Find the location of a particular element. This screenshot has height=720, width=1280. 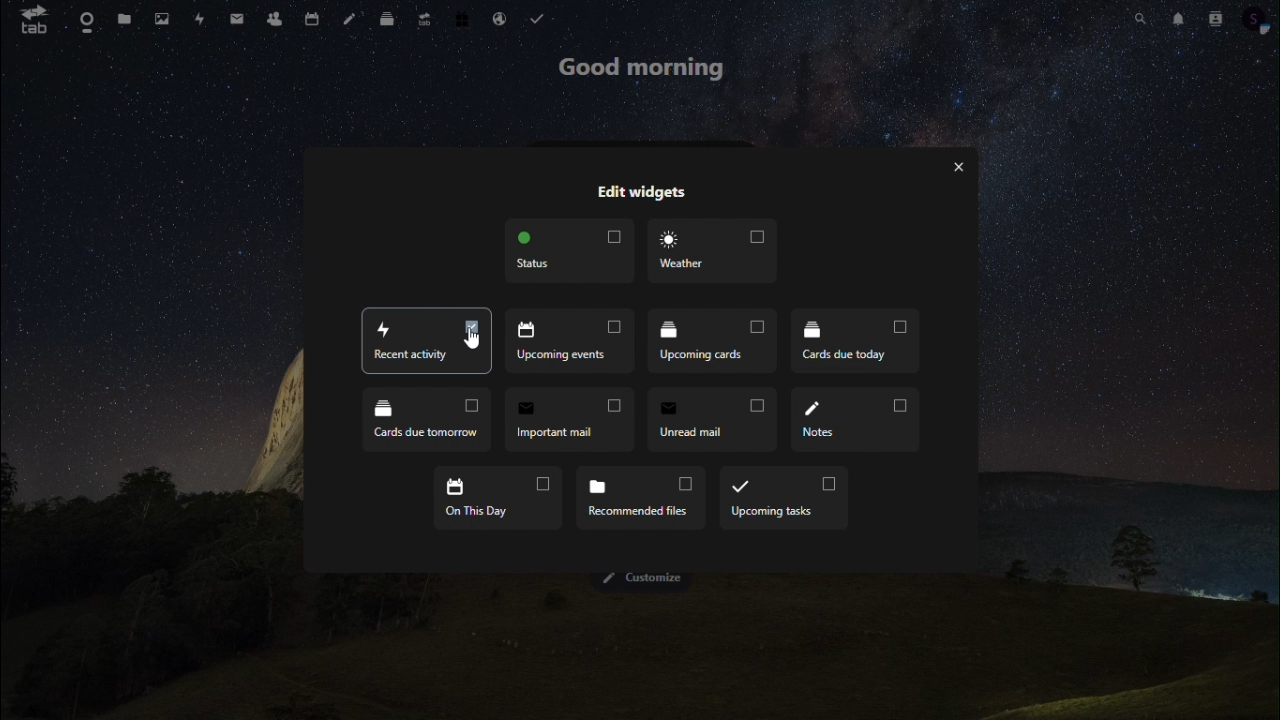

upcoming tasks is located at coordinates (709, 339).